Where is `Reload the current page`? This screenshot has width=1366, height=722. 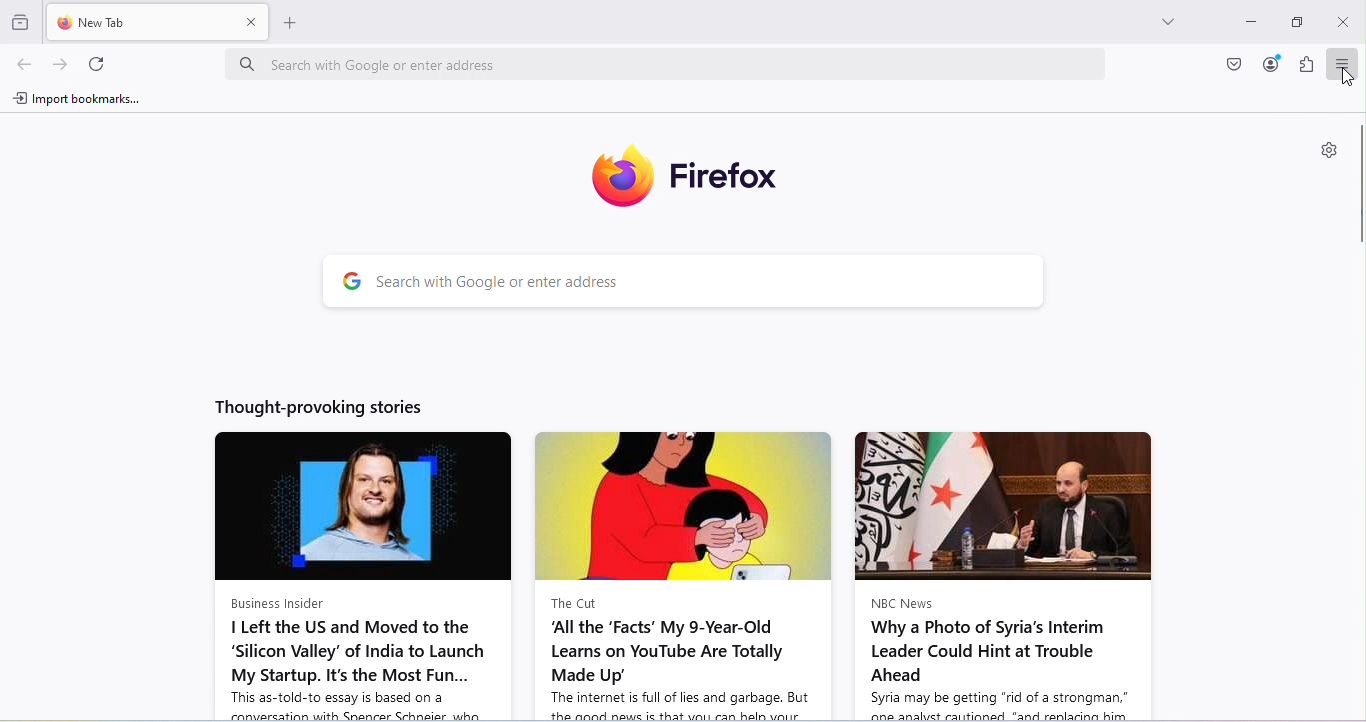
Reload the current page is located at coordinates (96, 65).